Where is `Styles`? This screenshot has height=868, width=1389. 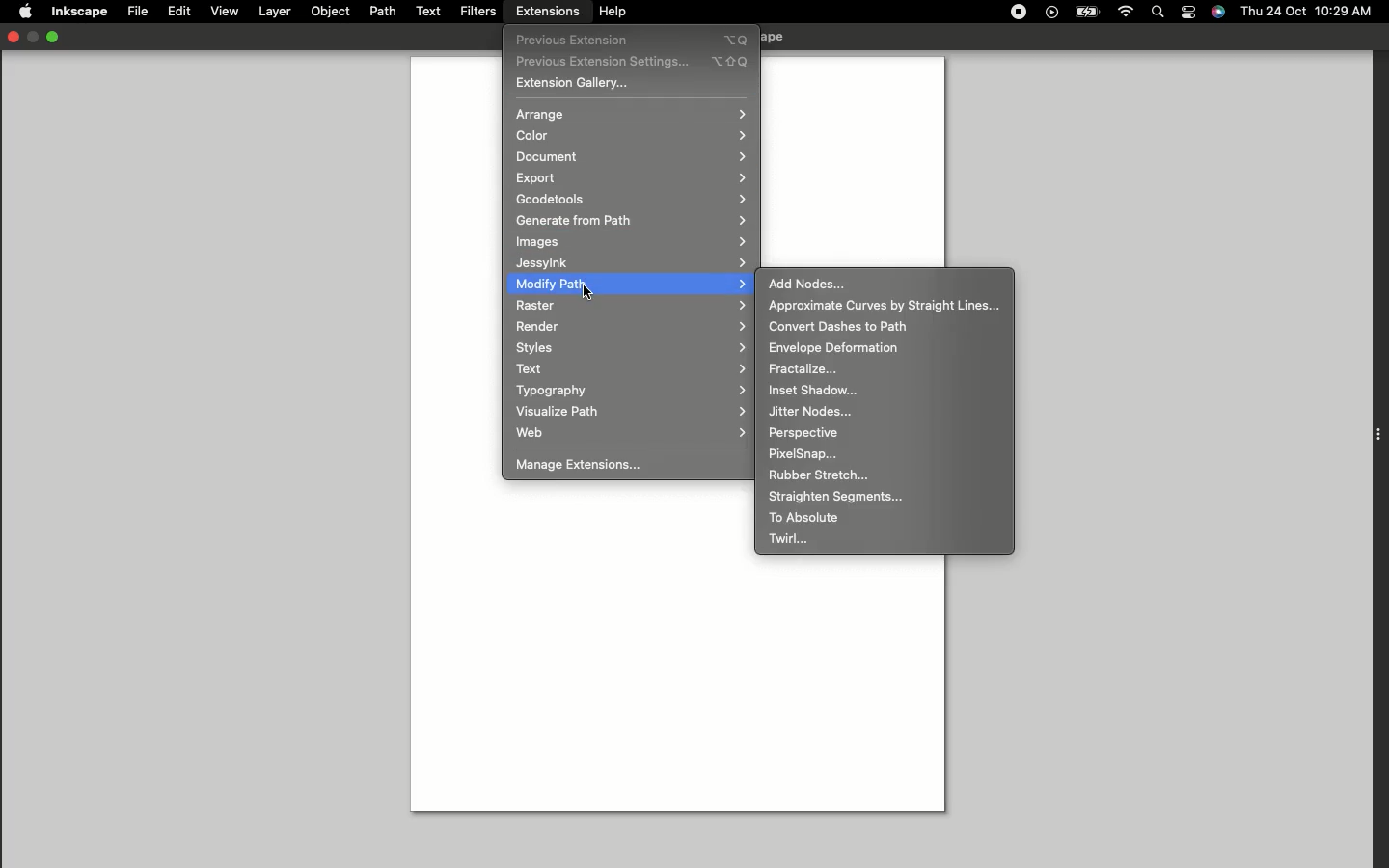 Styles is located at coordinates (633, 347).